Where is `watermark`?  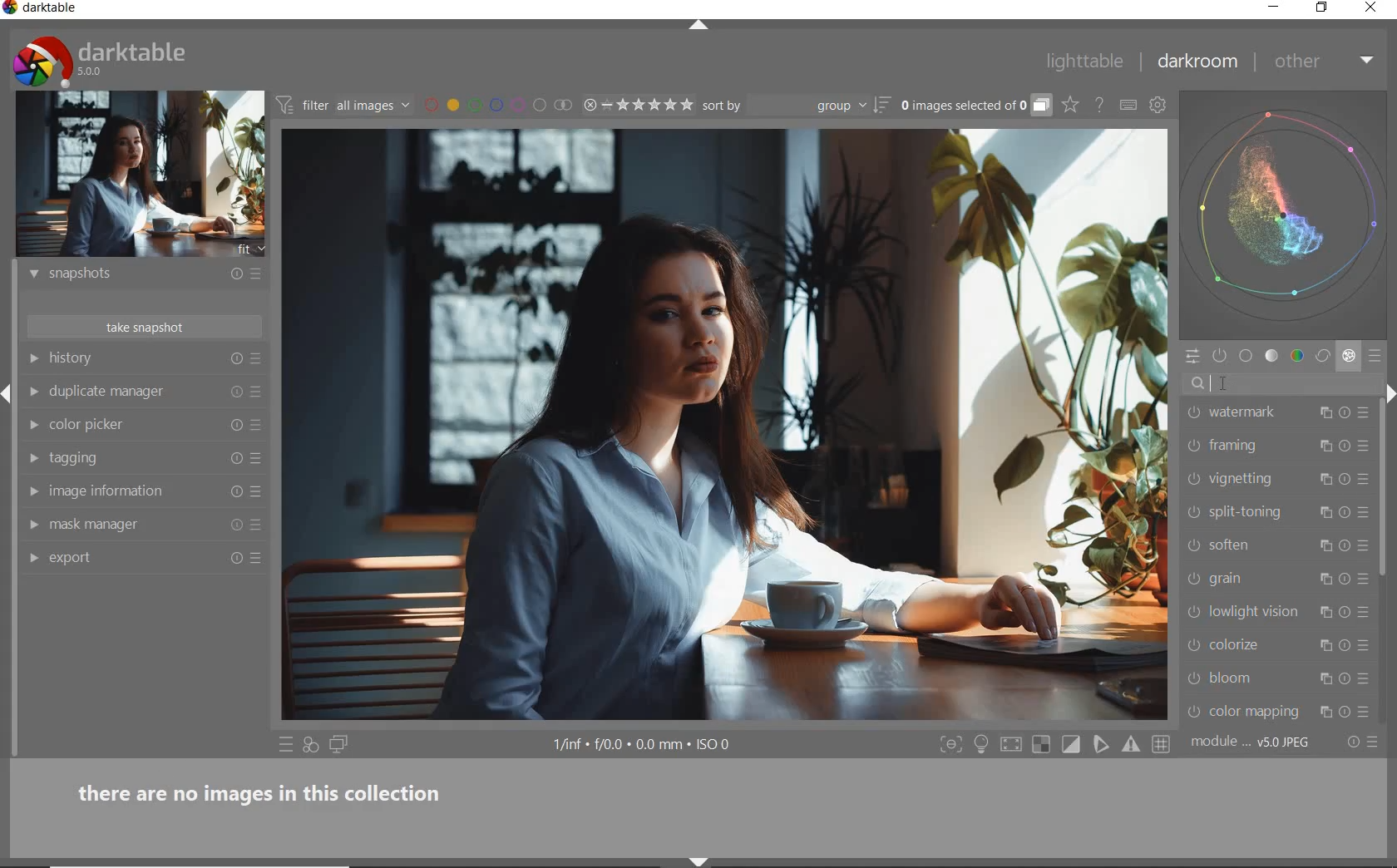
watermark is located at coordinates (1260, 412).